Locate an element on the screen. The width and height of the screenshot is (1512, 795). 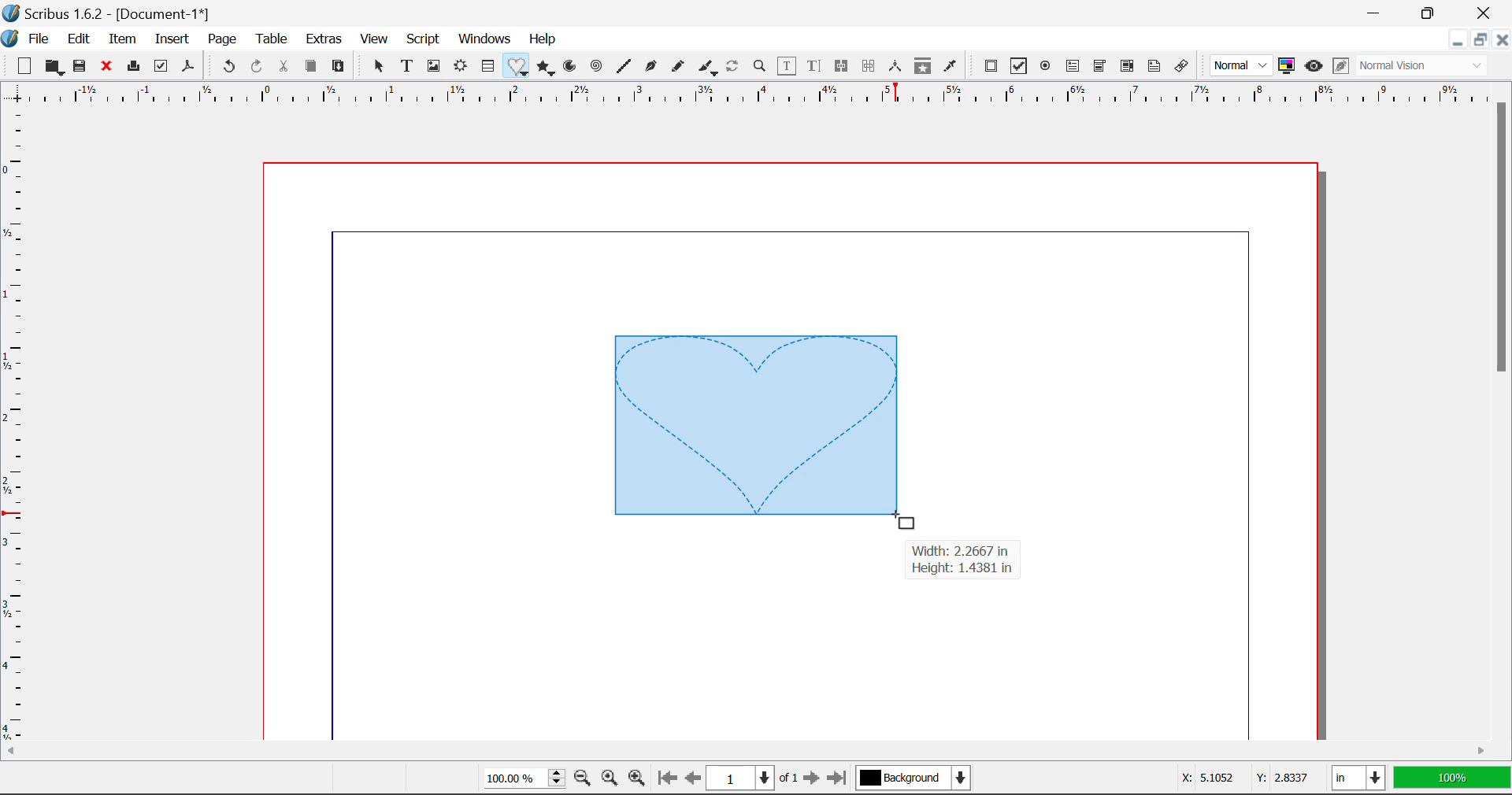
Image Frames is located at coordinates (433, 66).